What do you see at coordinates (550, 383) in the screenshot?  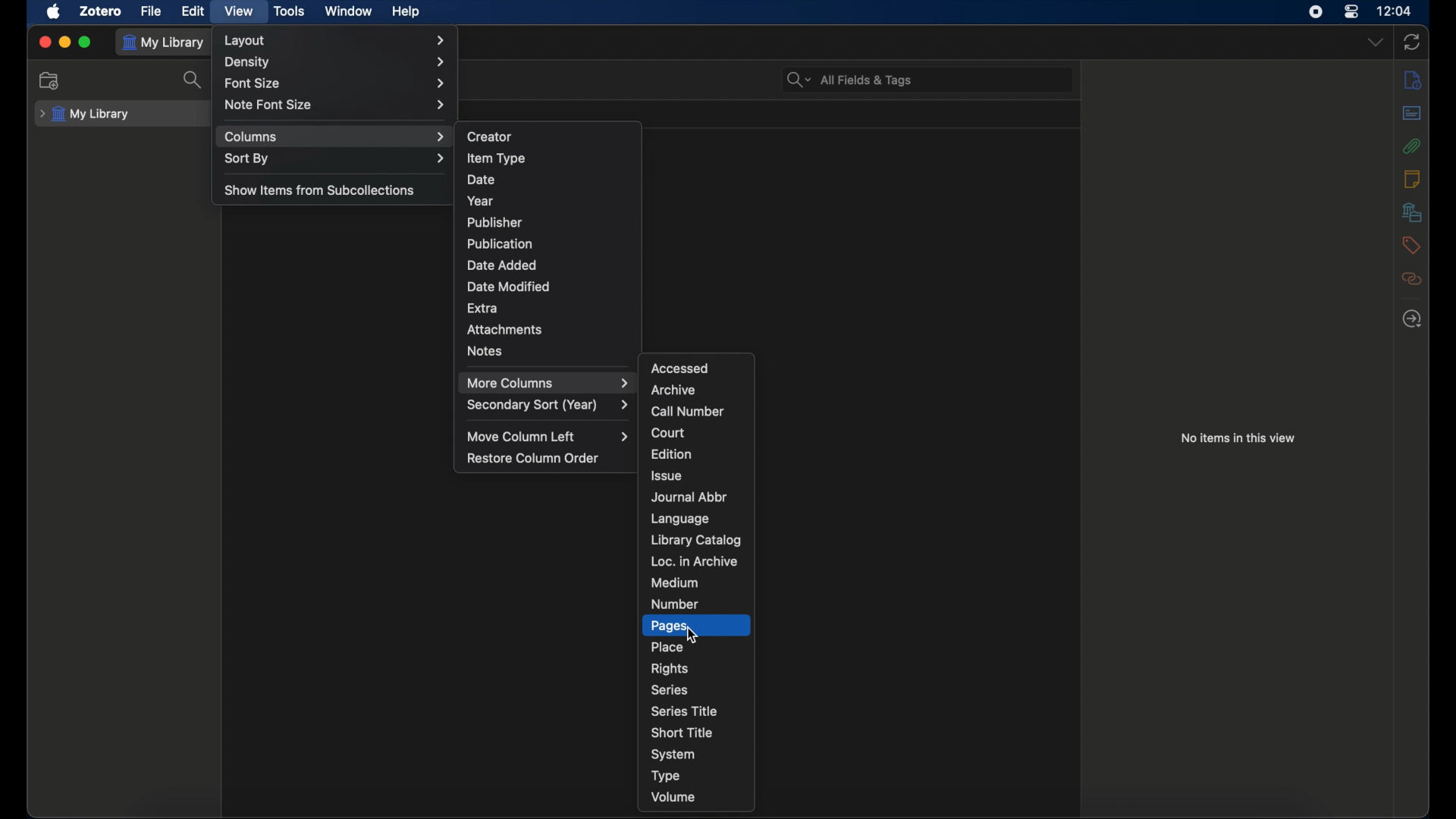 I see `more columns` at bounding box center [550, 383].